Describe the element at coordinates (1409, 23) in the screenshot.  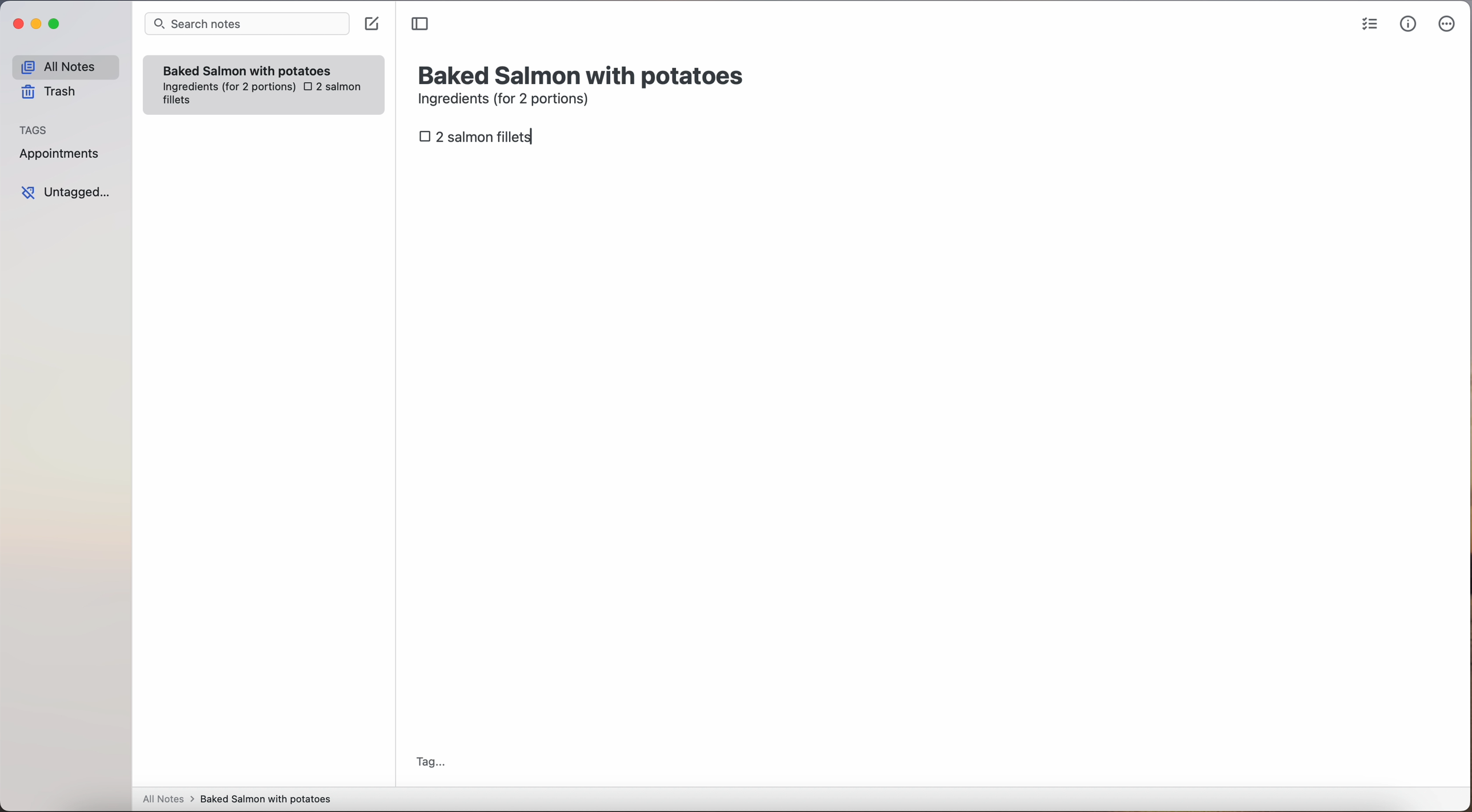
I see `metrics` at that location.